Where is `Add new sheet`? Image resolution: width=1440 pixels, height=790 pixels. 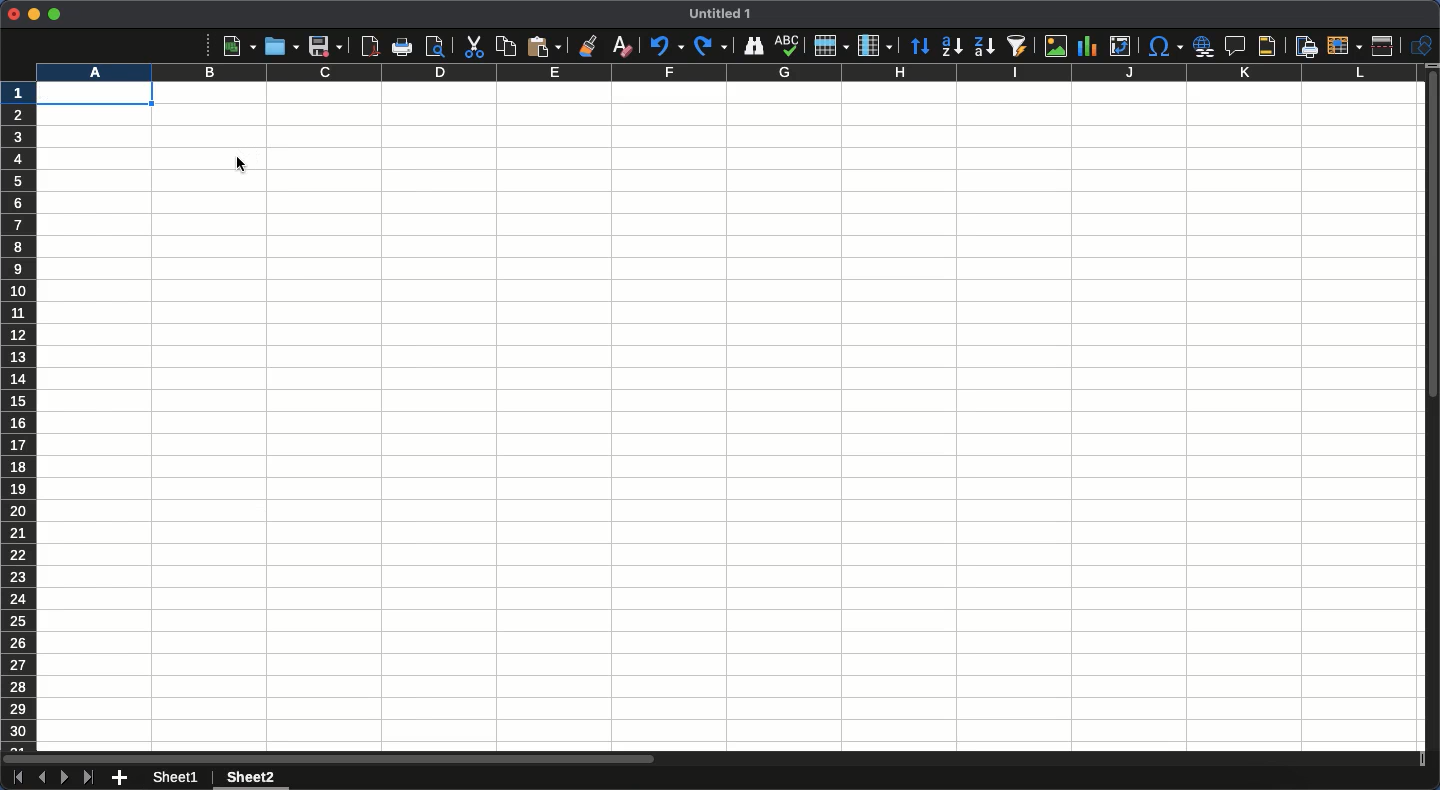 Add new sheet is located at coordinates (120, 779).